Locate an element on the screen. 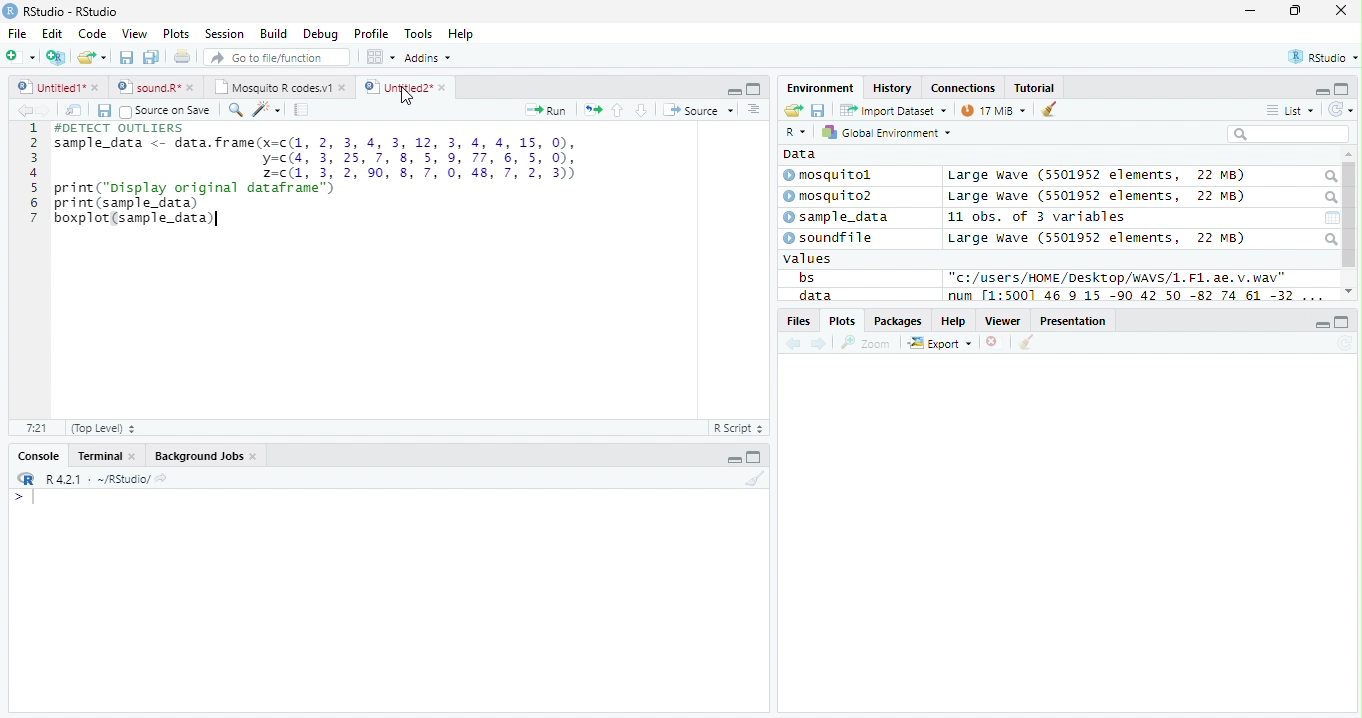 This screenshot has width=1362, height=718. Packages is located at coordinates (899, 321).